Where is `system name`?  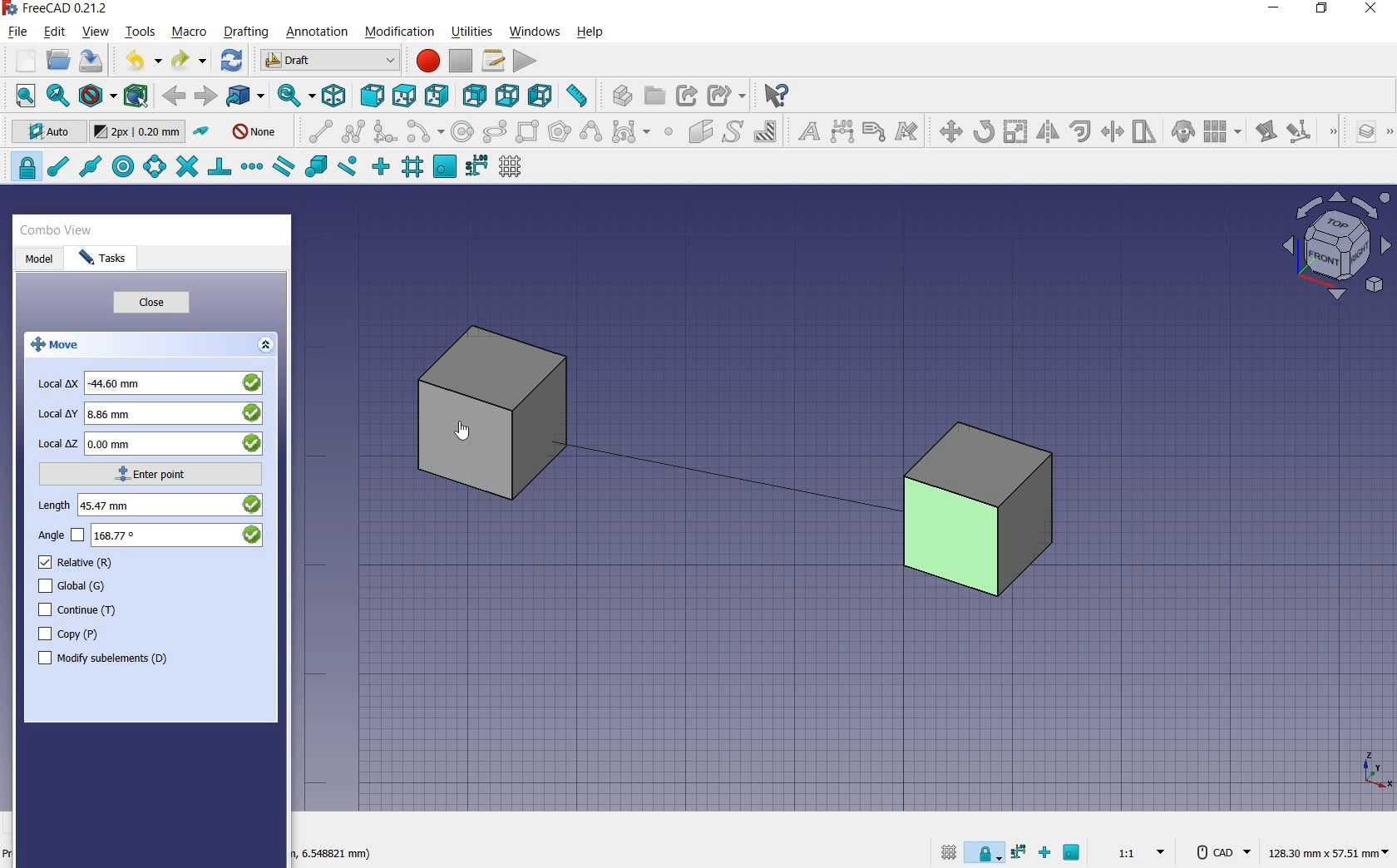 system name is located at coordinates (57, 8).